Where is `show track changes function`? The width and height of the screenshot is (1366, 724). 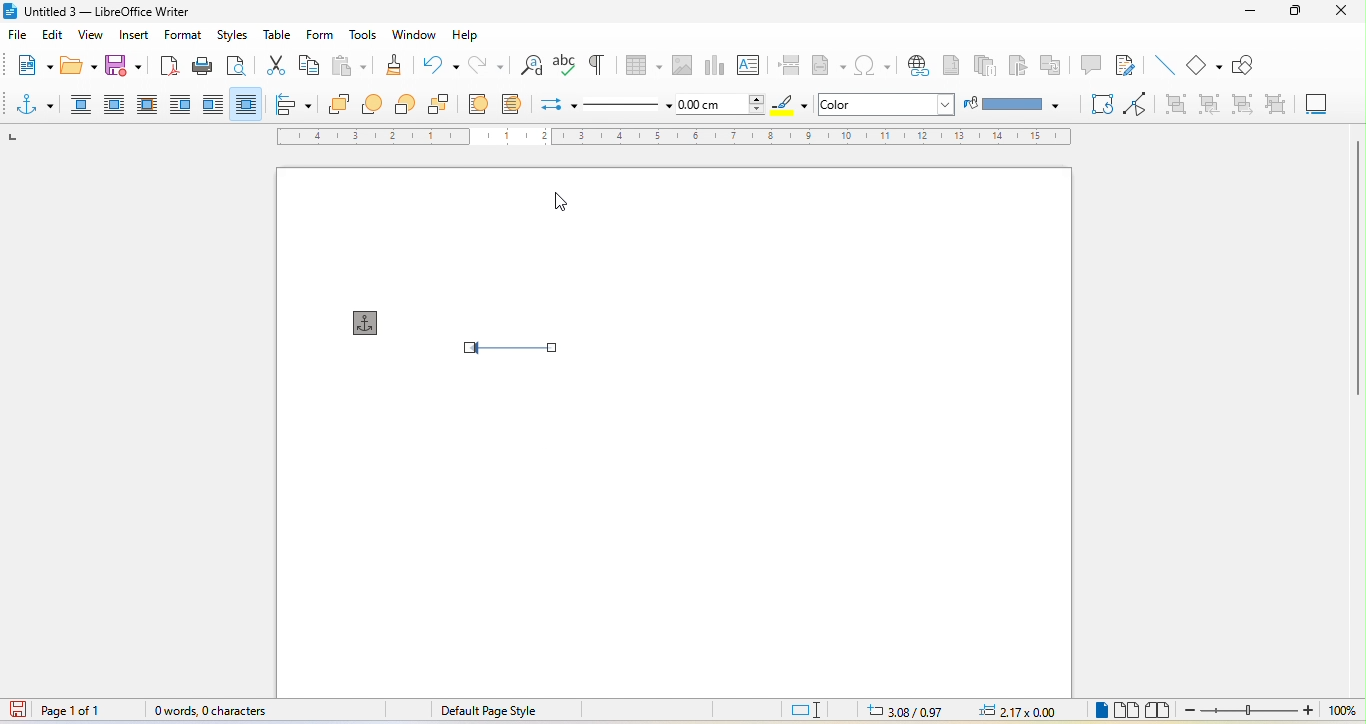
show track changes function is located at coordinates (1127, 67).